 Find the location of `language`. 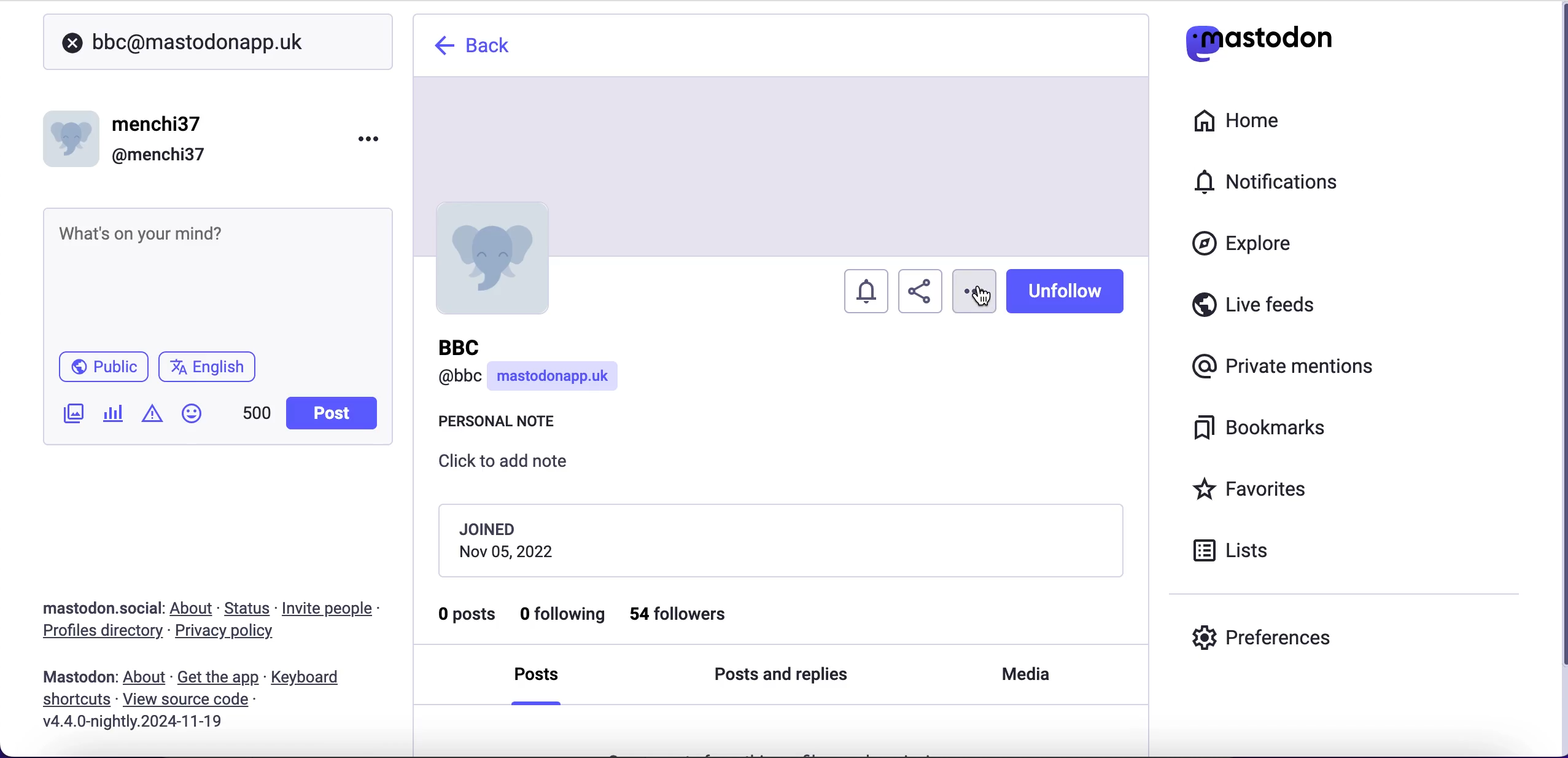

language is located at coordinates (212, 372).